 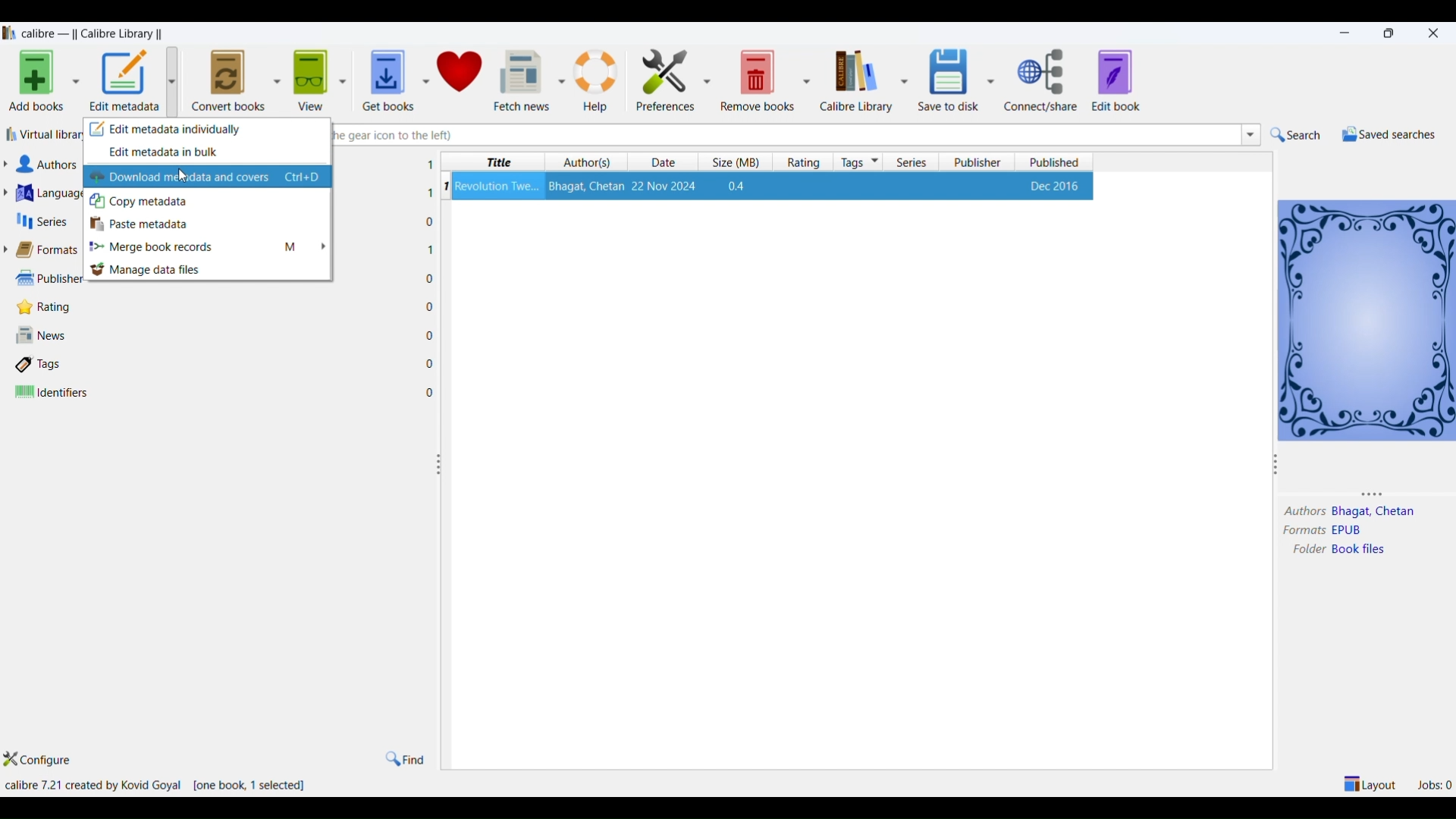 What do you see at coordinates (43, 136) in the screenshot?
I see `virtual library` at bounding box center [43, 136].